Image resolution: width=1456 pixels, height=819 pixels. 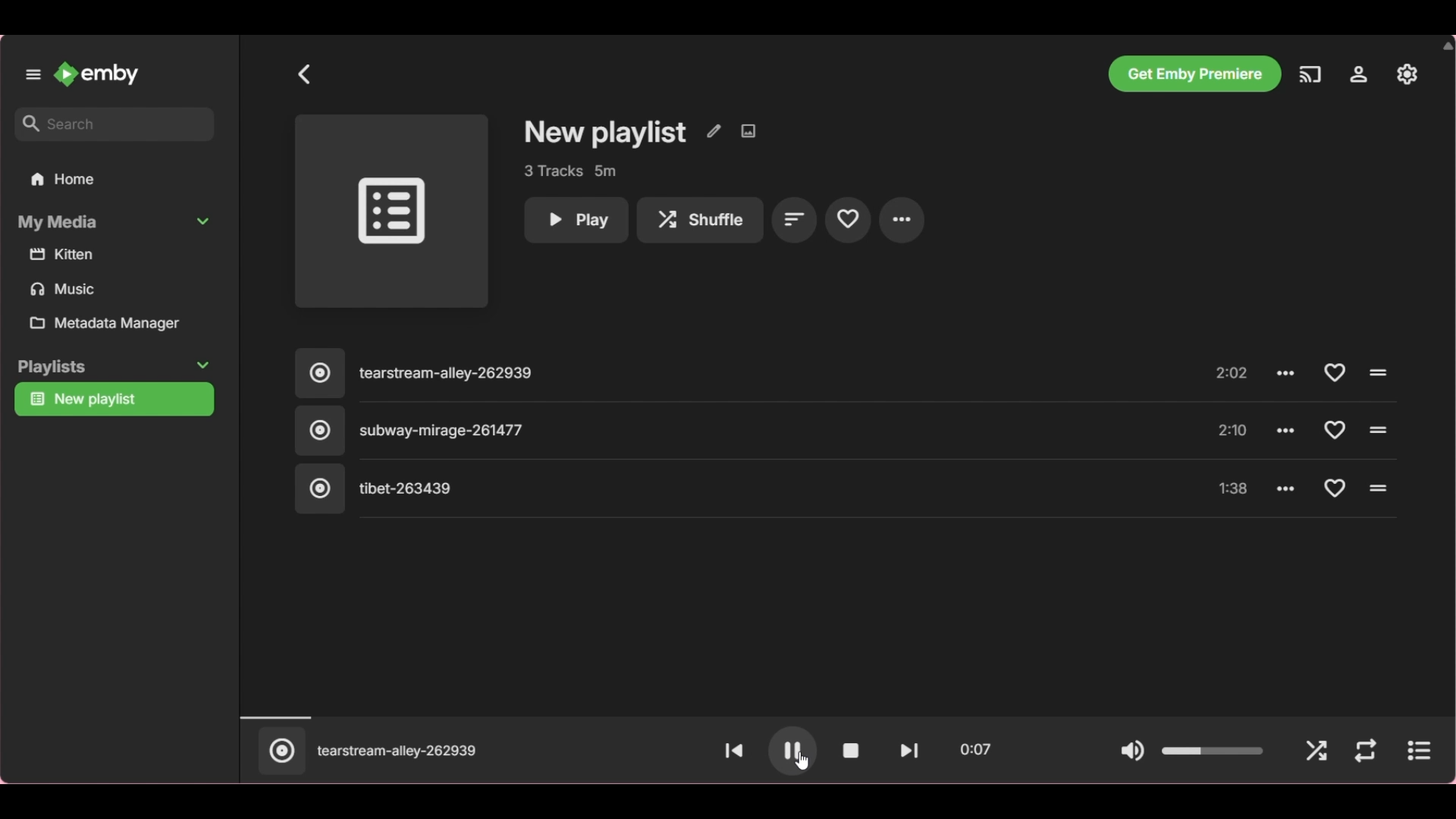 I want to click on Get Emby premiere, so click(x=1194, y=74).